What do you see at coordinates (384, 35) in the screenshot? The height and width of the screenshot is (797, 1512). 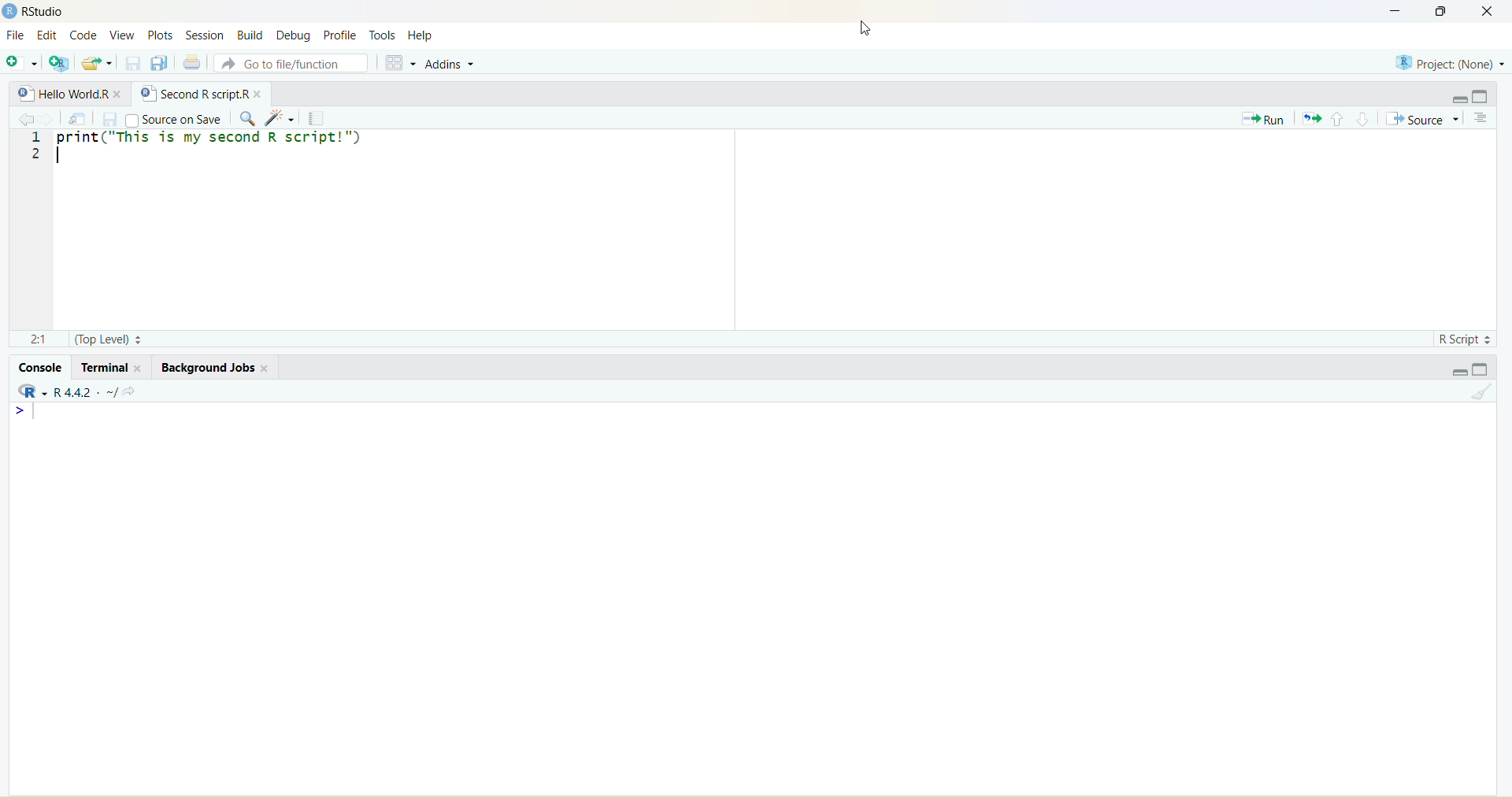 I see `Tools` at bounding box center [384, 35].